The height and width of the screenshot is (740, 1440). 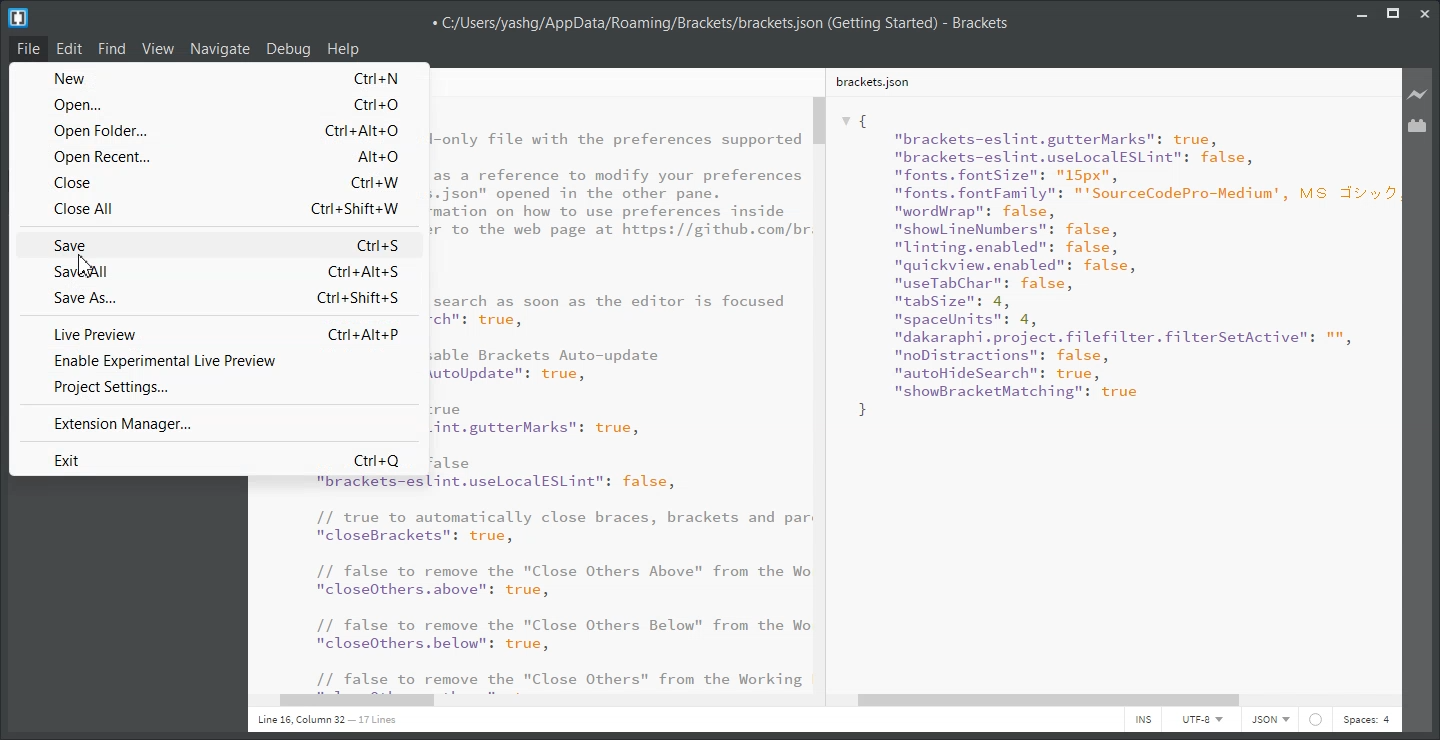 I want to click on Close   Ctrl+W, so click(x=218, y=183).